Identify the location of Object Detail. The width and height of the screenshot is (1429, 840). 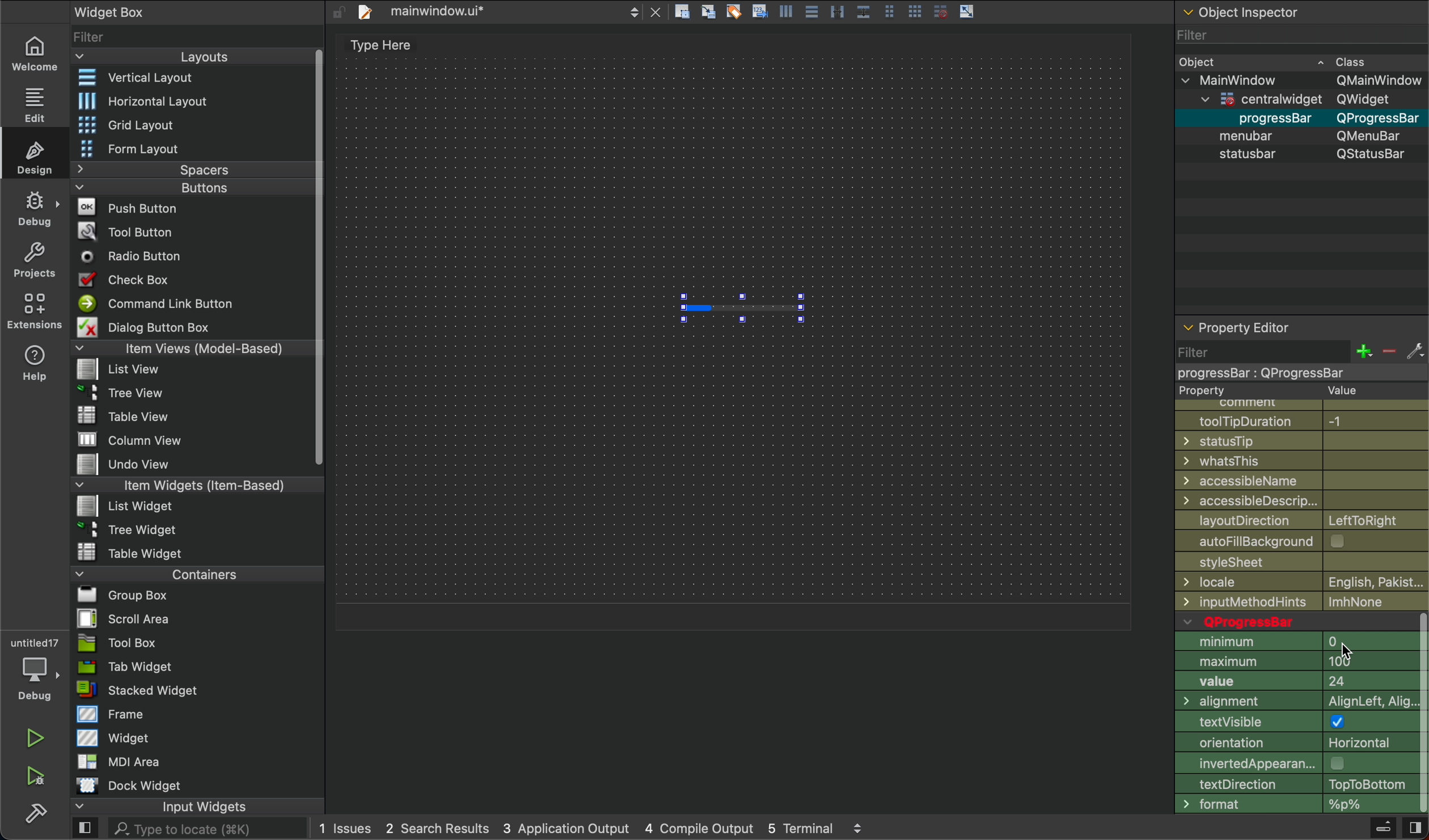
(1300, 107).